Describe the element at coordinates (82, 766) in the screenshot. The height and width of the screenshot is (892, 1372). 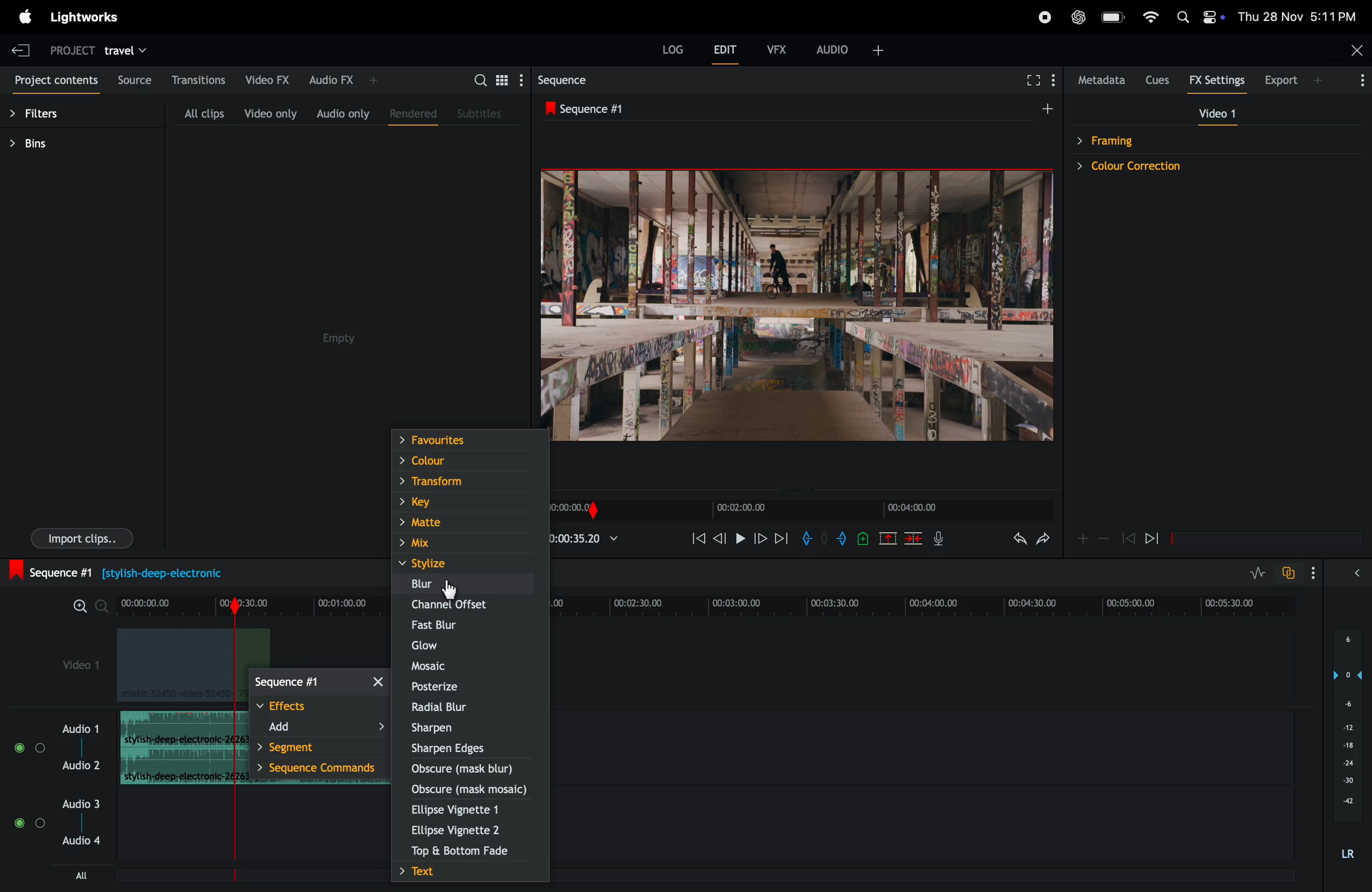
I see `Audio 2` at that location.